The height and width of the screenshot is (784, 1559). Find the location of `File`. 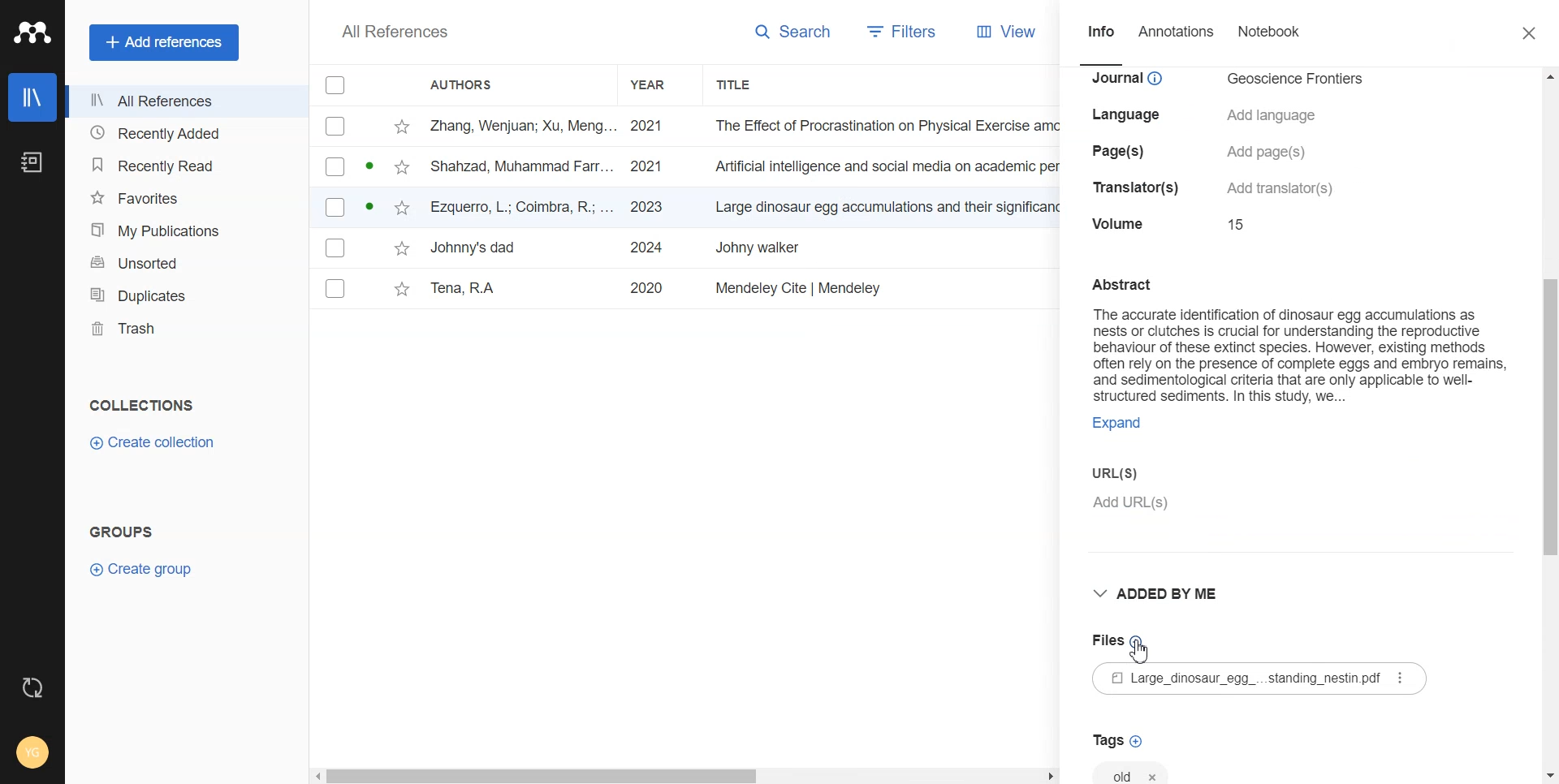

File is located at coordinates (1236, 678).